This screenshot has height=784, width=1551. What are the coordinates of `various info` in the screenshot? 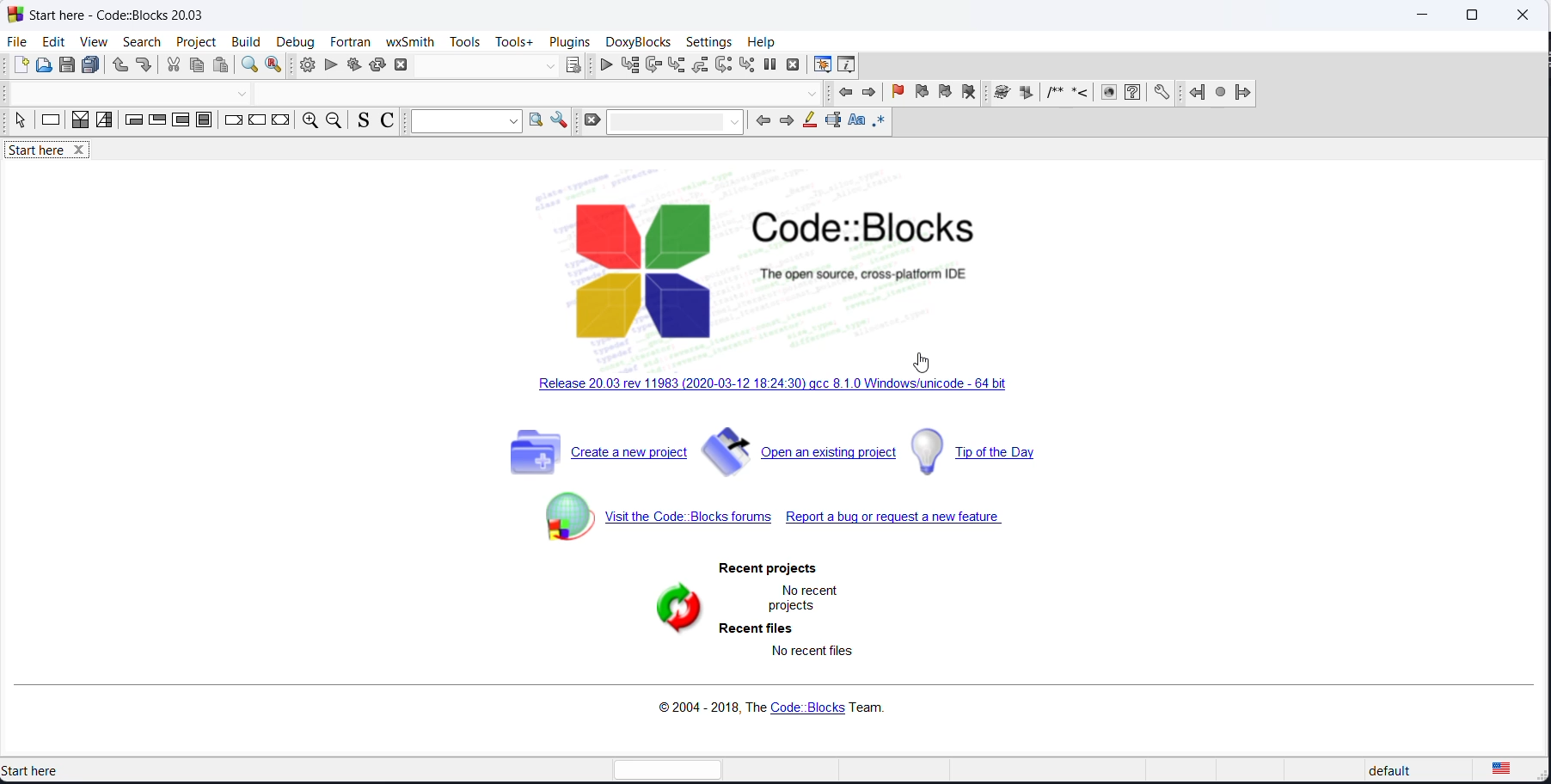 It's located at (849, 66).